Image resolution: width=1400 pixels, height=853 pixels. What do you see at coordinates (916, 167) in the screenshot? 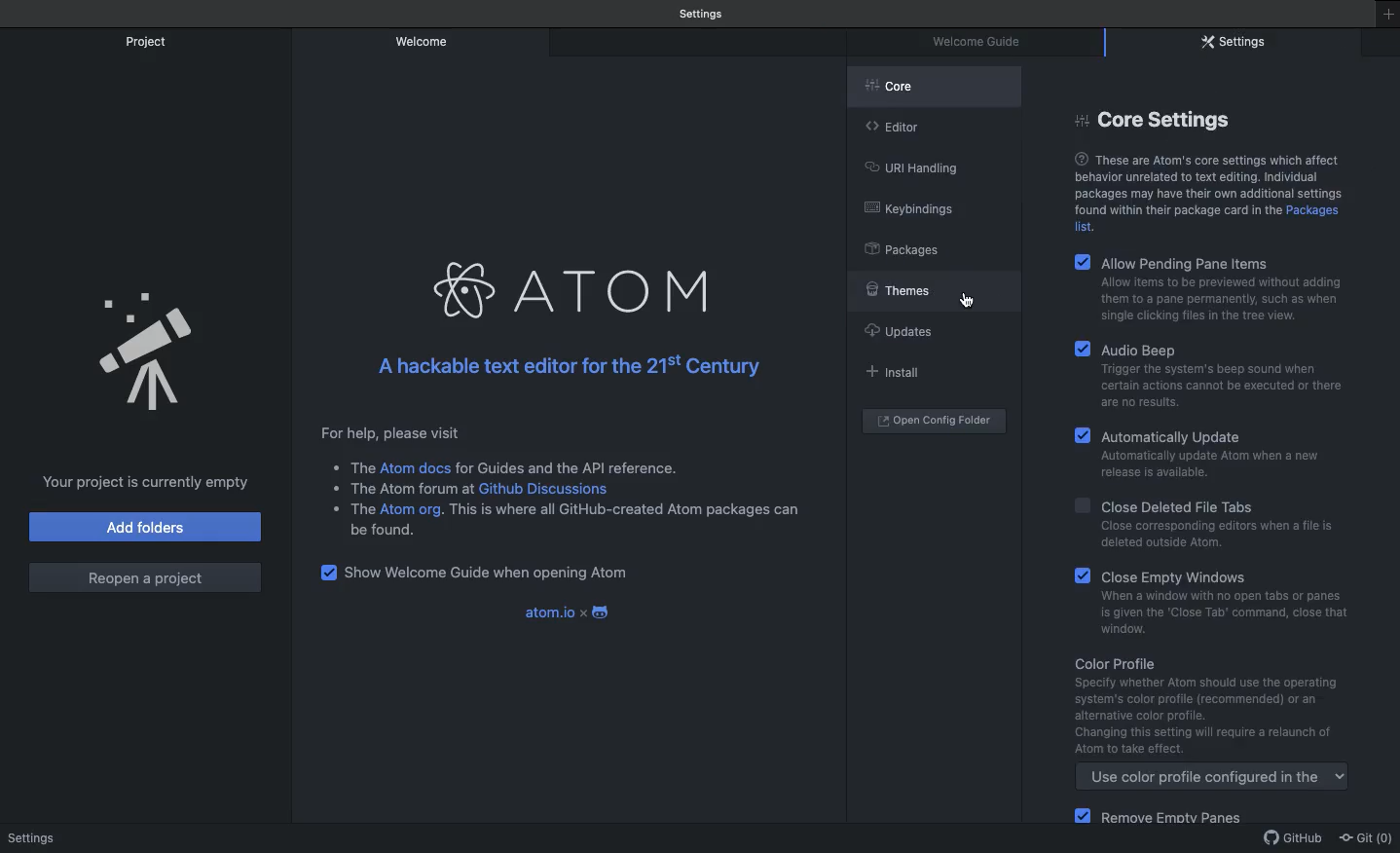
I see `URL heading` at bounding box center [916, 167].